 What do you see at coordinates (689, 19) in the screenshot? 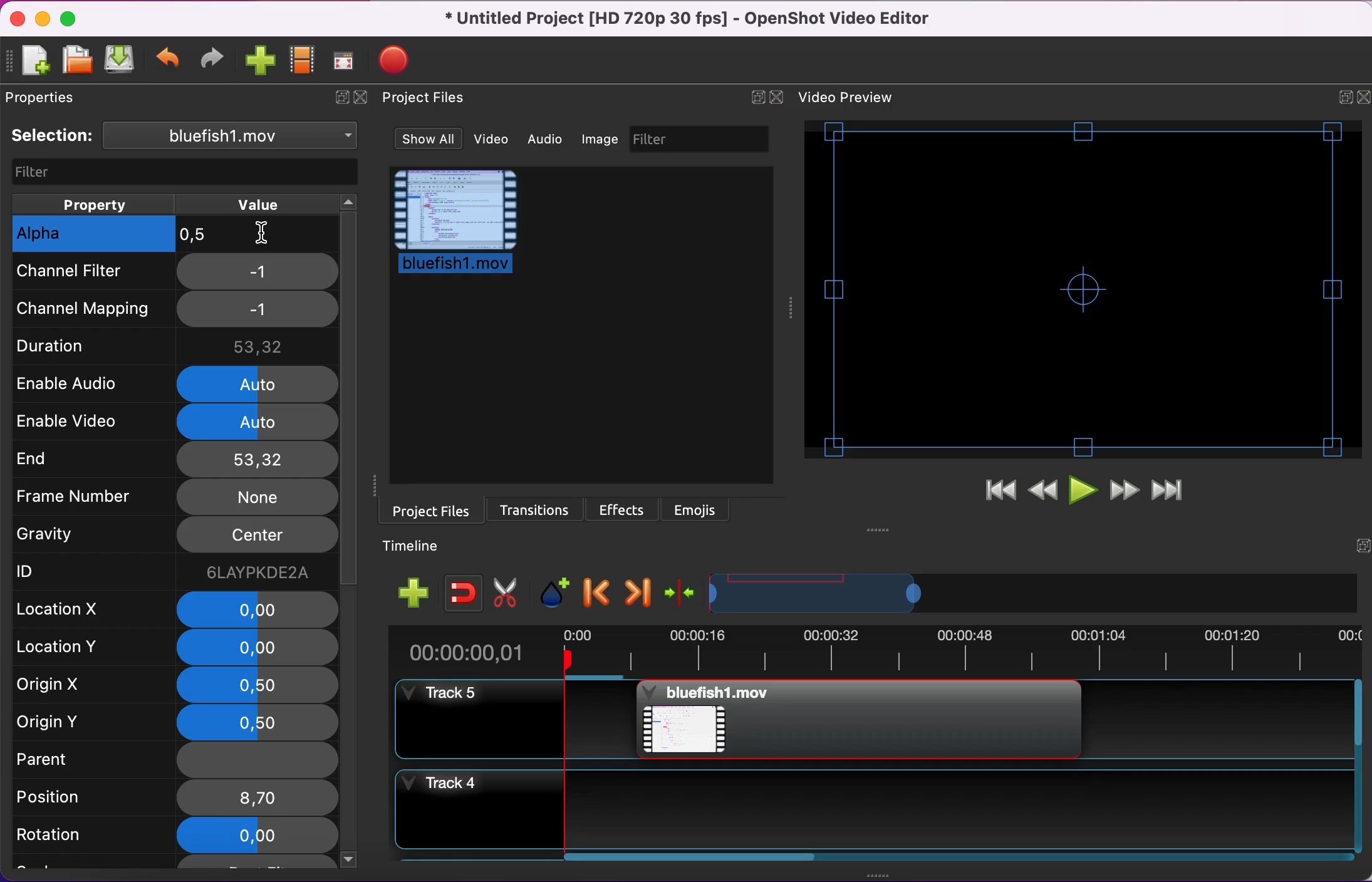
I see `title` at bounding box center [689, 19].